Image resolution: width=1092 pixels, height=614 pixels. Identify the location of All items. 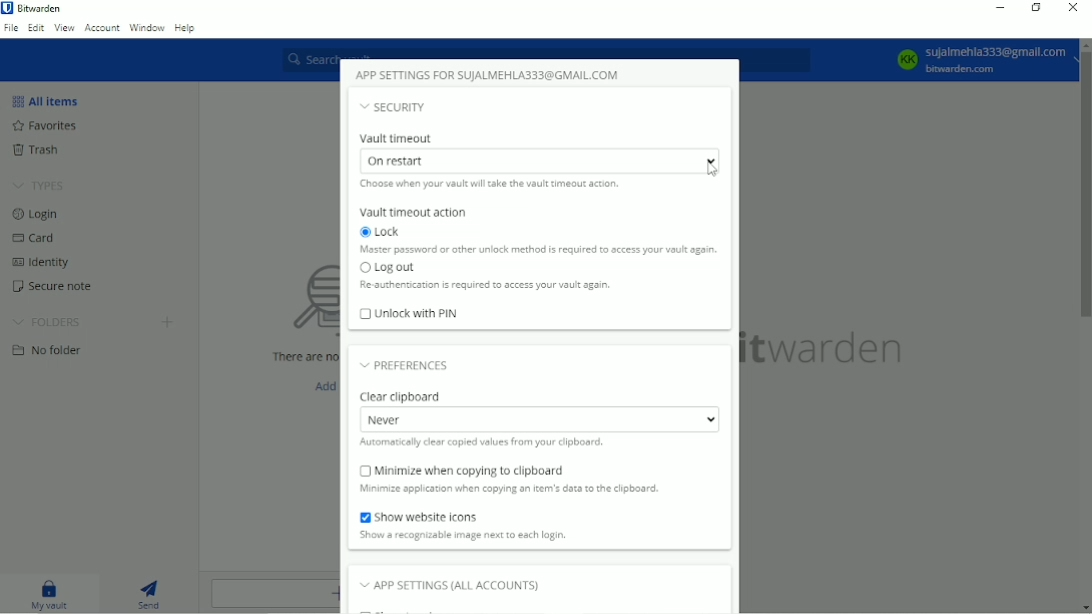
(47, 100).